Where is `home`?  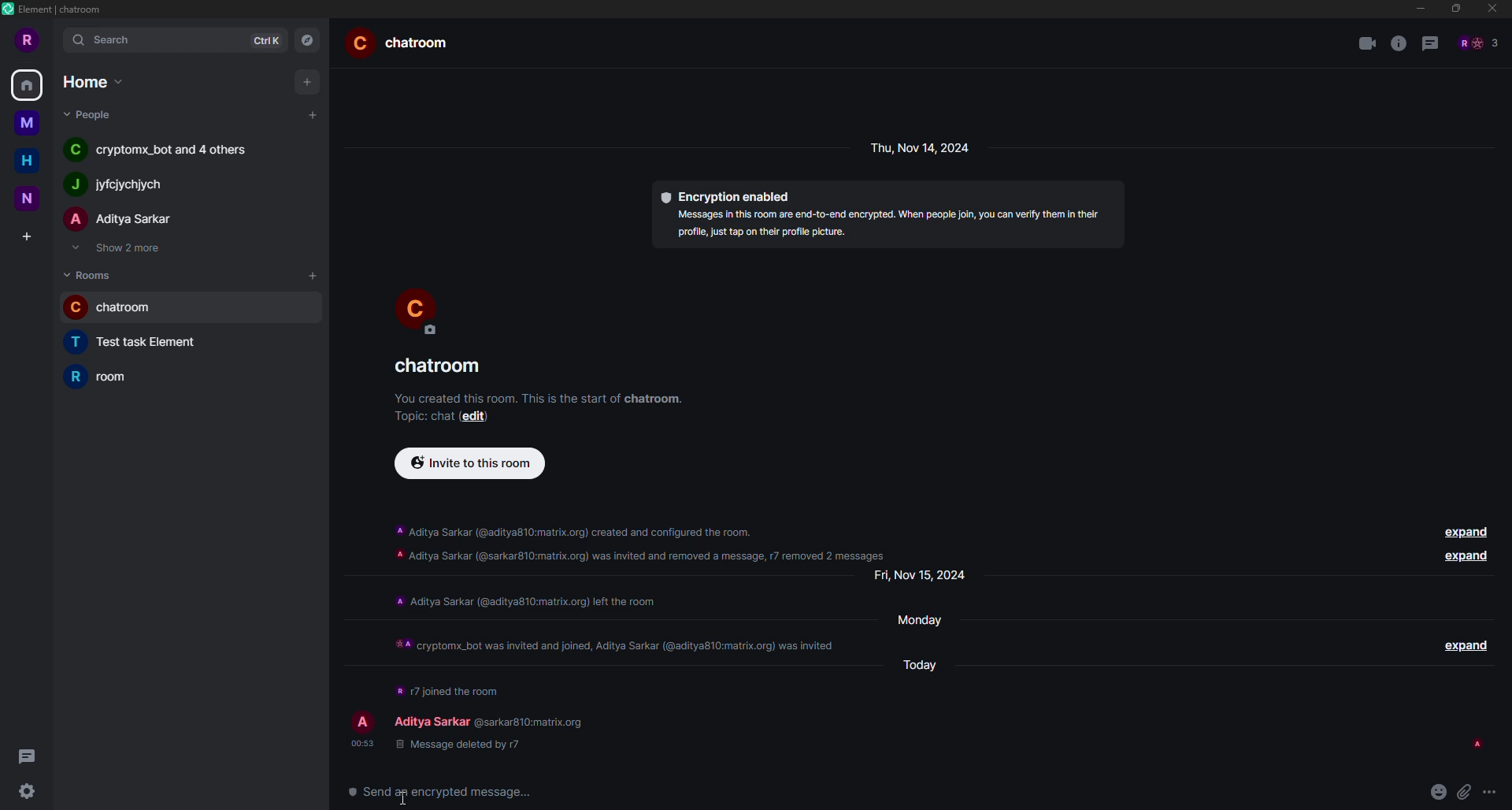
home is located at coordinates (28, 84).